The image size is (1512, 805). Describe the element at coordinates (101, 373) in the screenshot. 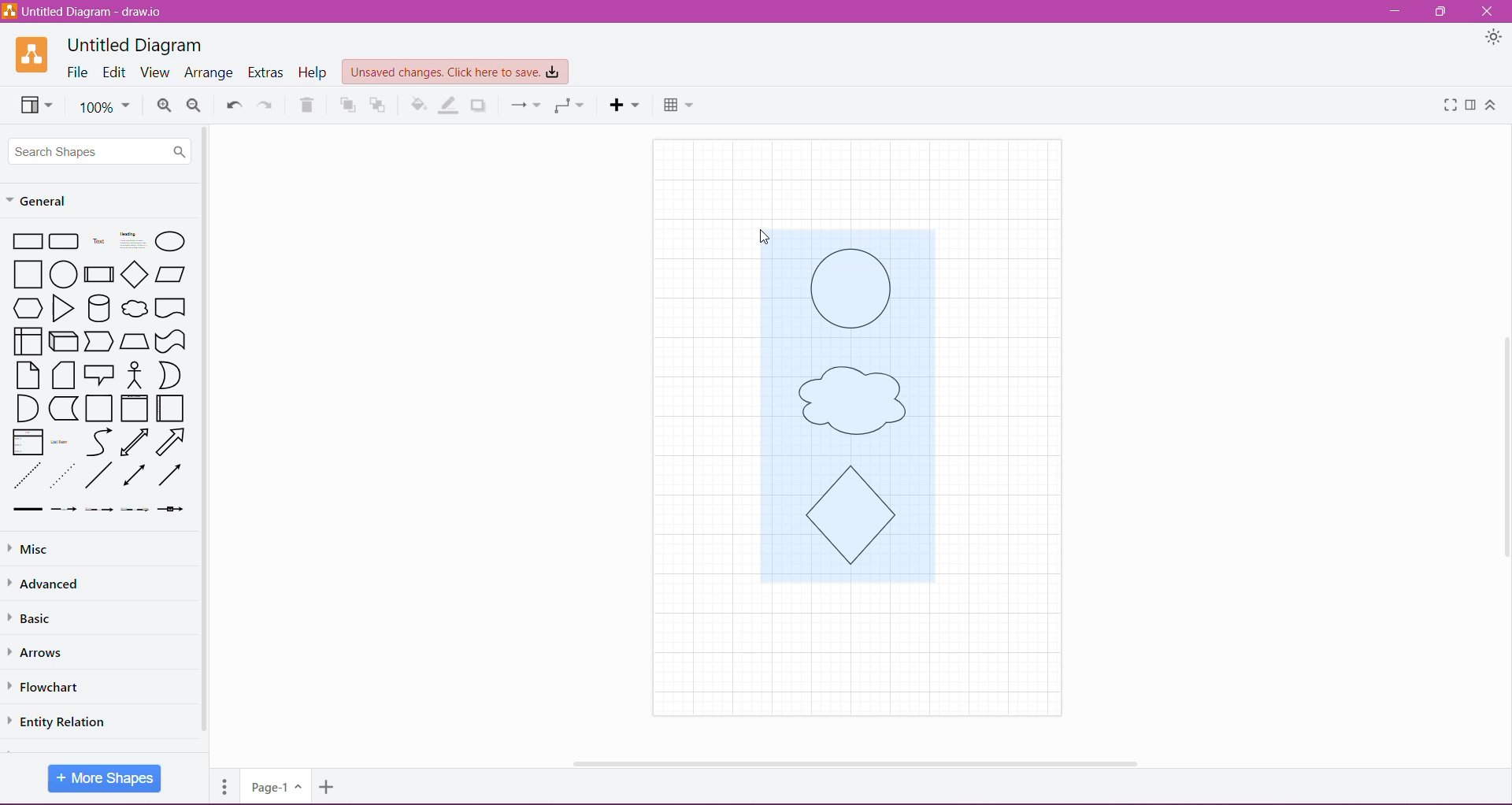

I see `Available shapes in General` at that location.